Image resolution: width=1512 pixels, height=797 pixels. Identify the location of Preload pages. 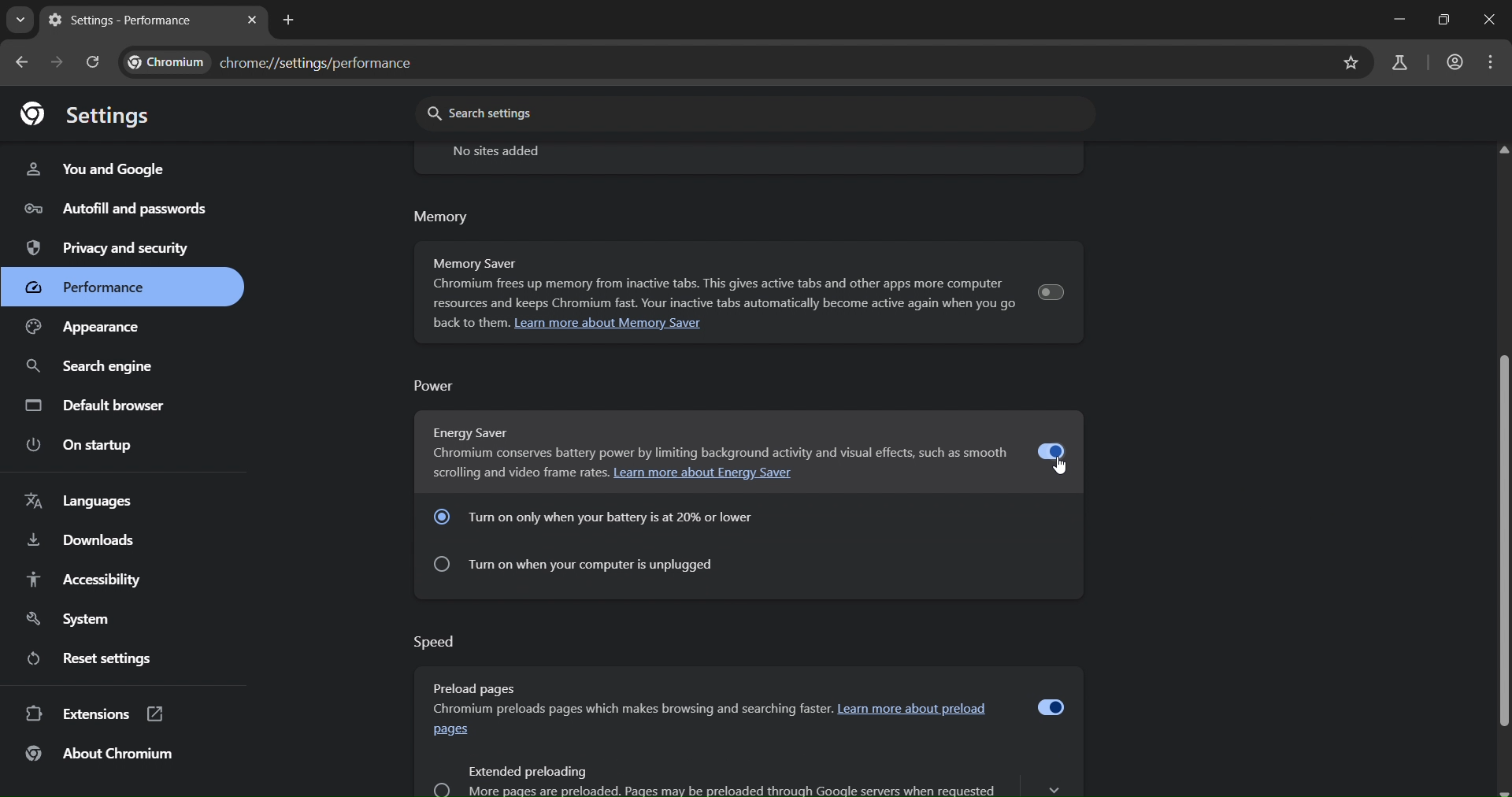
(476, 687).